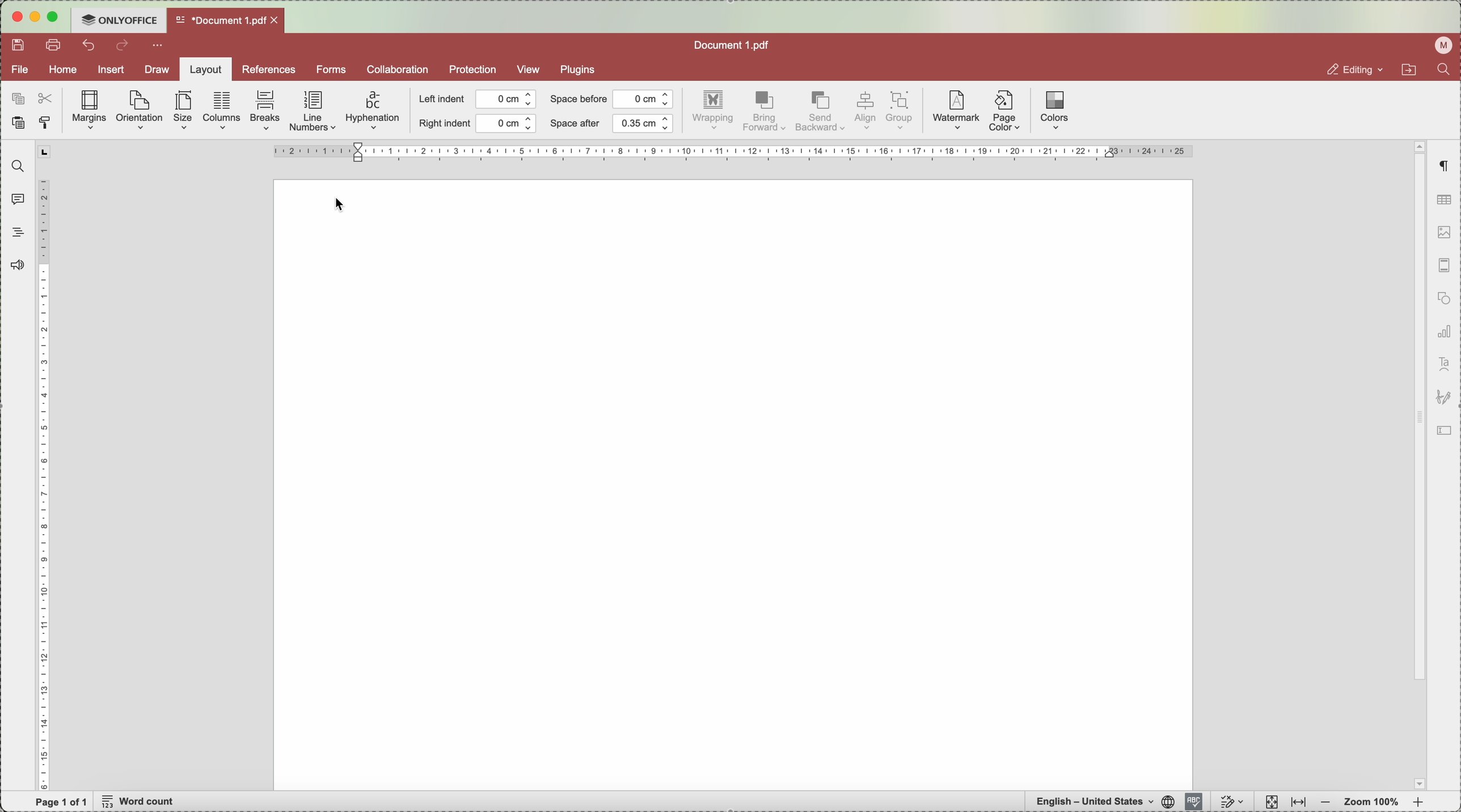 The image size is (1461, 812). What do you see at coordinates (1232, 802) in the screenshot?
I see `track changes` at bounding box center [1232, 802].